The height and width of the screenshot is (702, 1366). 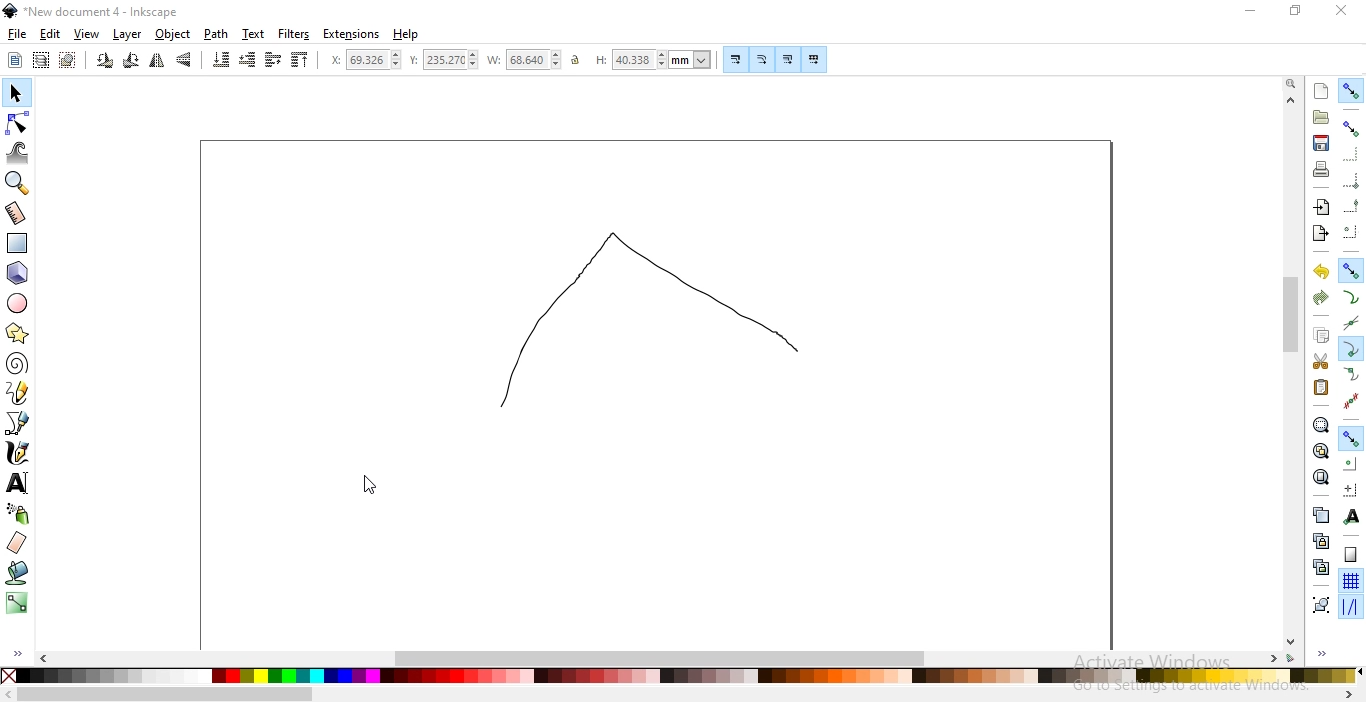 I want to click on snap to edges of bounding boxes, so click(x=1349, y=155).